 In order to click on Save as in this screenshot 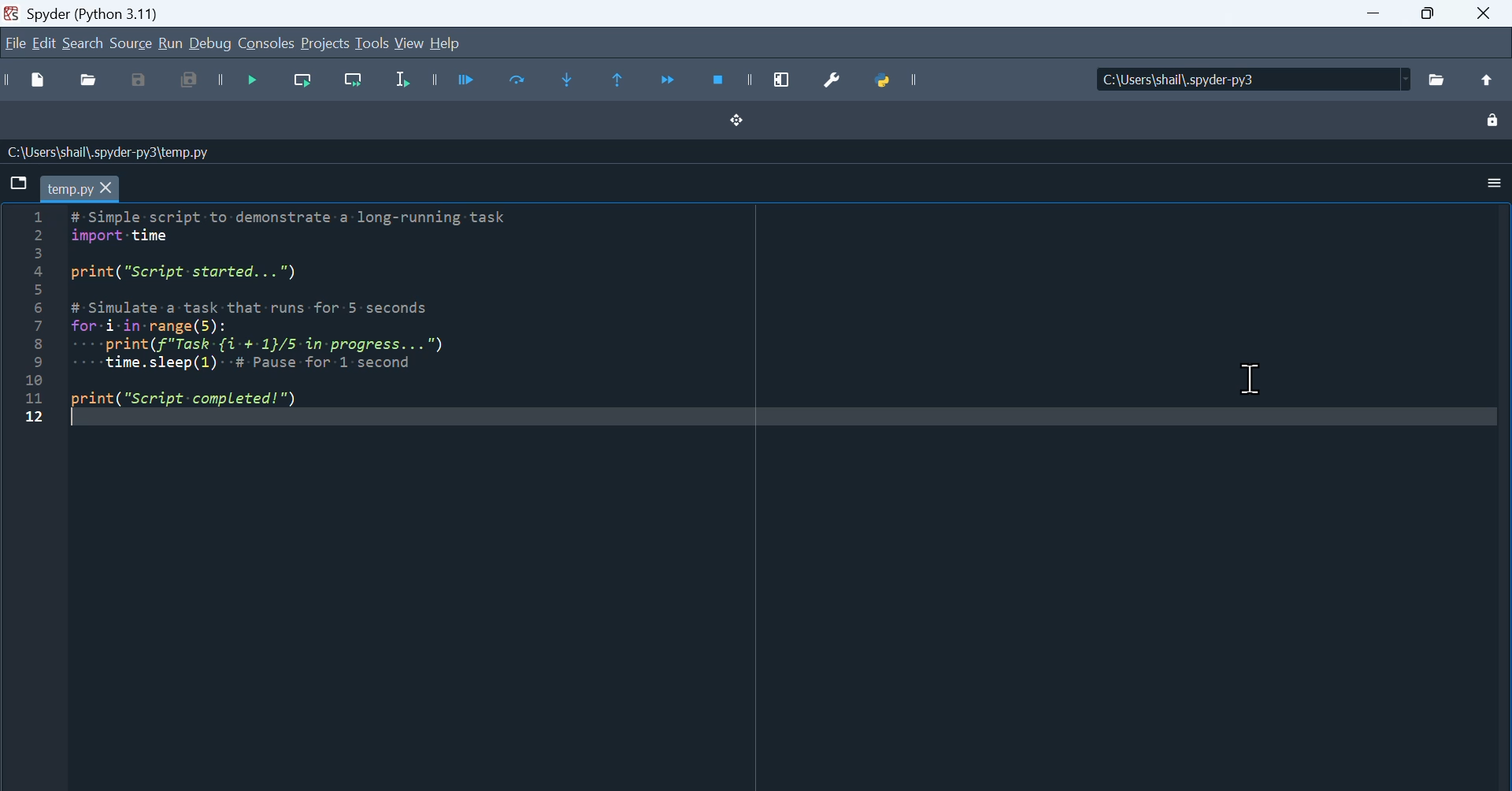, I will do `click(137, 80)`.